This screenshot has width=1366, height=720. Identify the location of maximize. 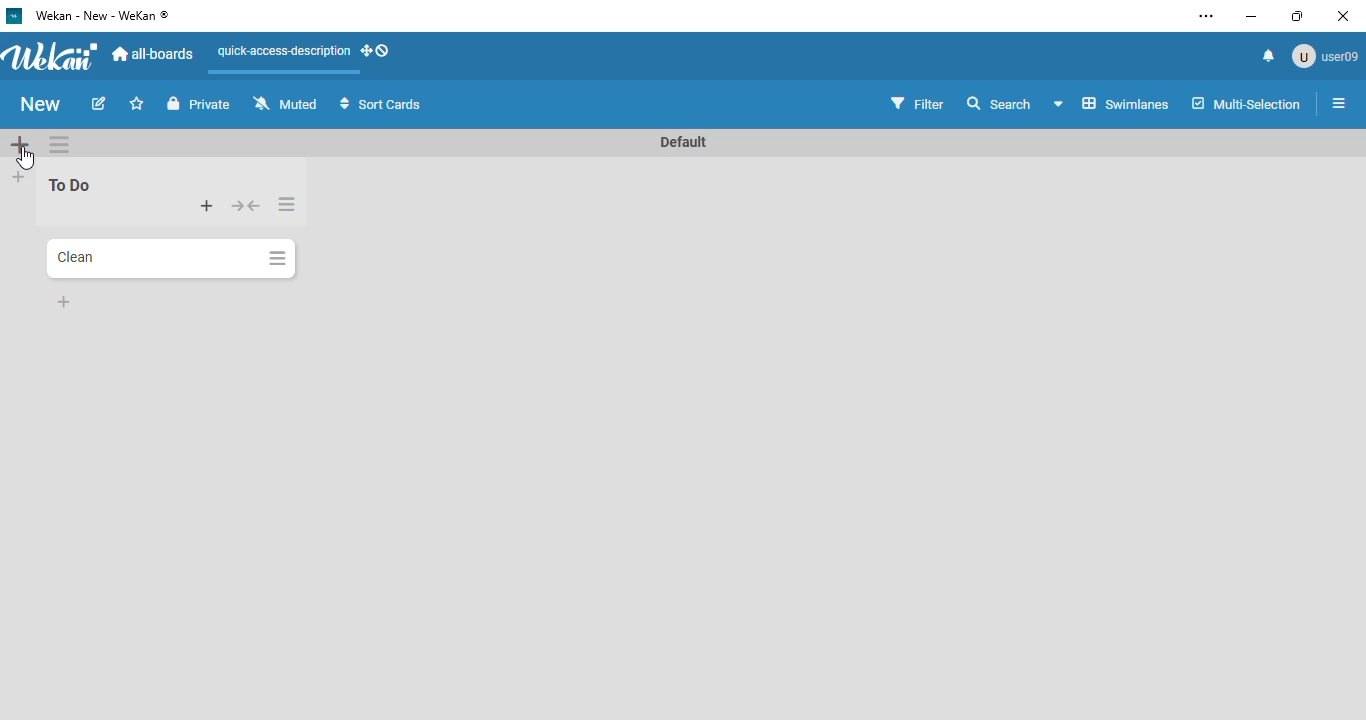
(1298, 16).